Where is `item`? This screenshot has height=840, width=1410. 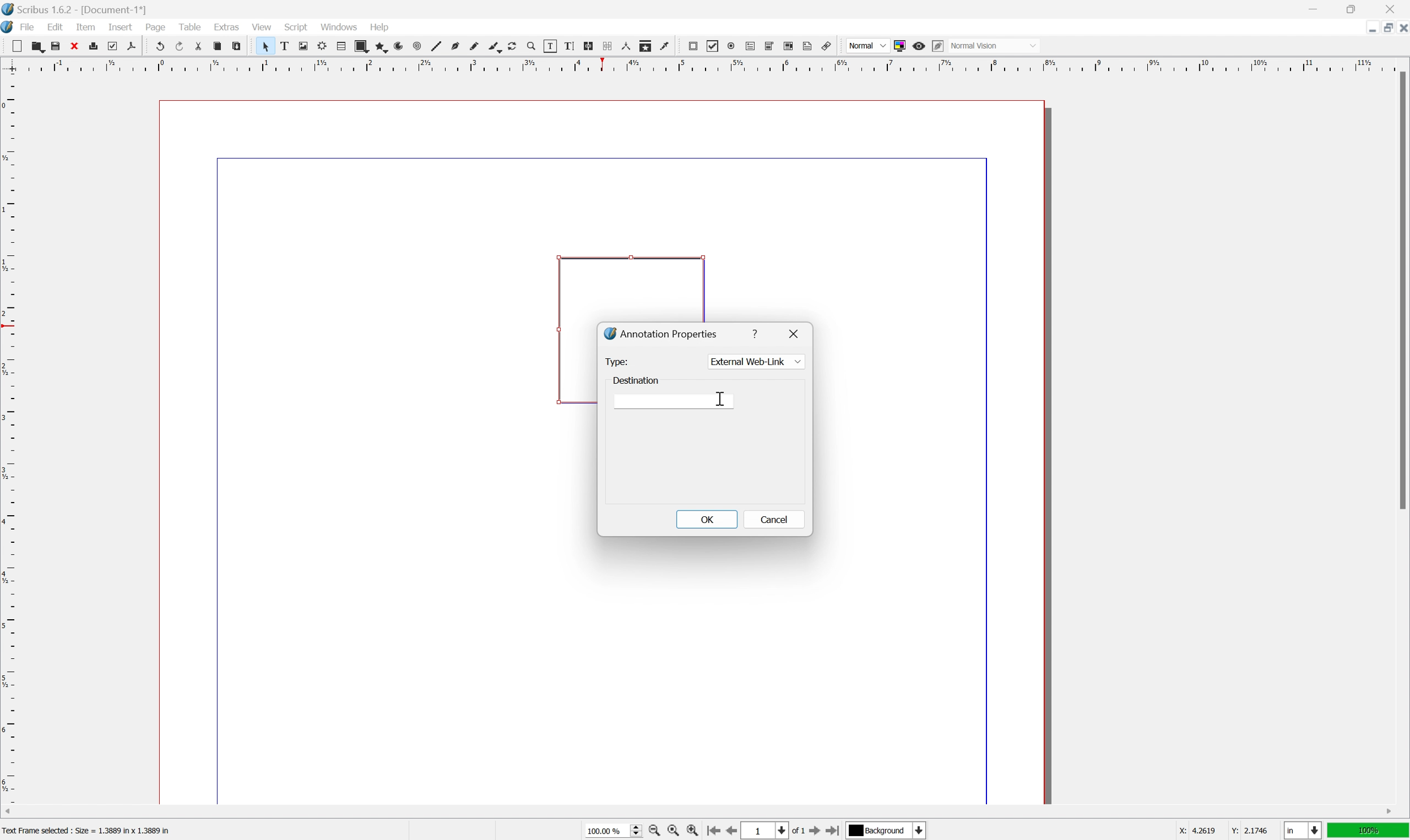
item is located at coordinates (86, 27).